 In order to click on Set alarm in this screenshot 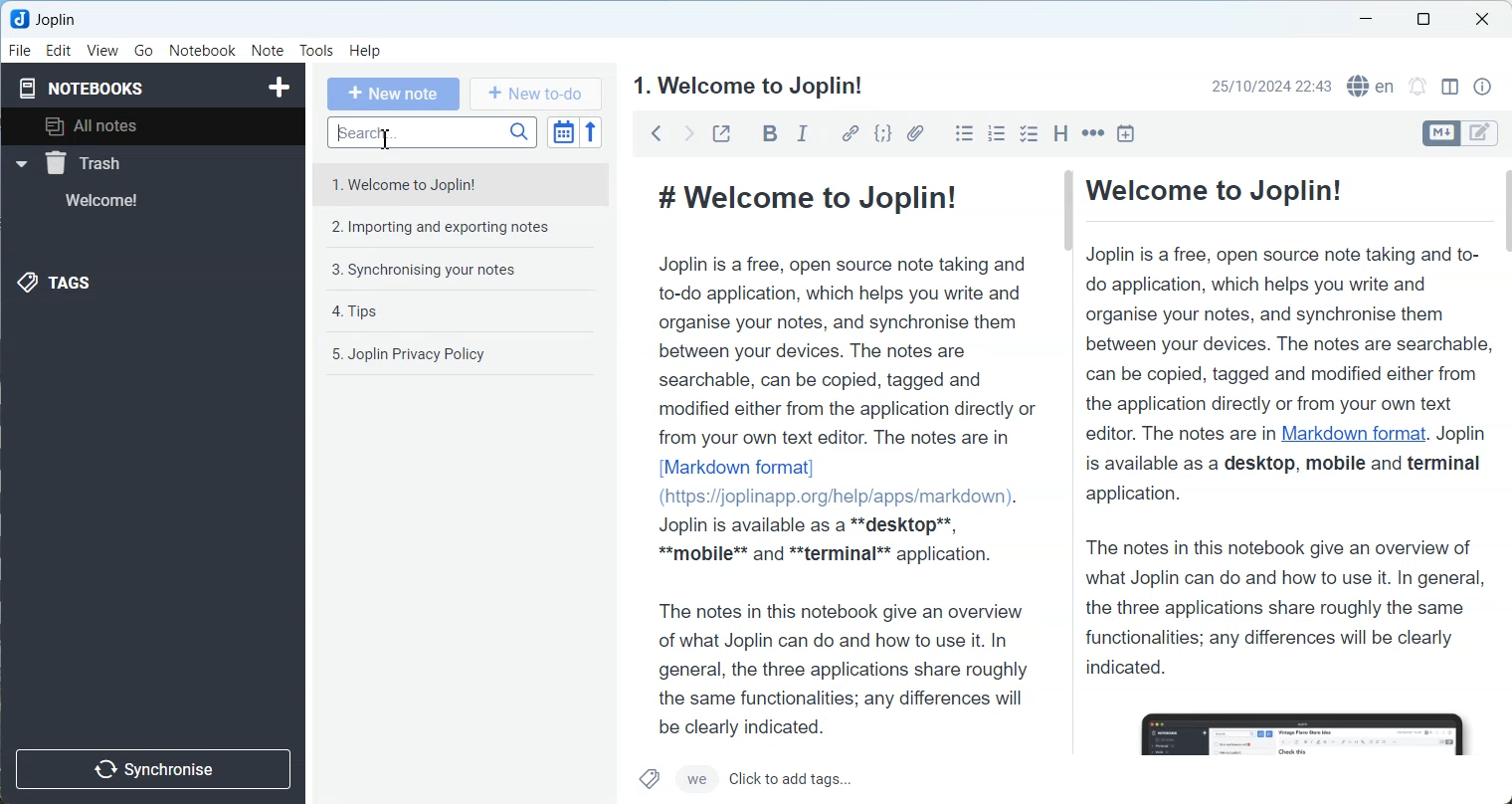, I will do `click(1417, 85)`.